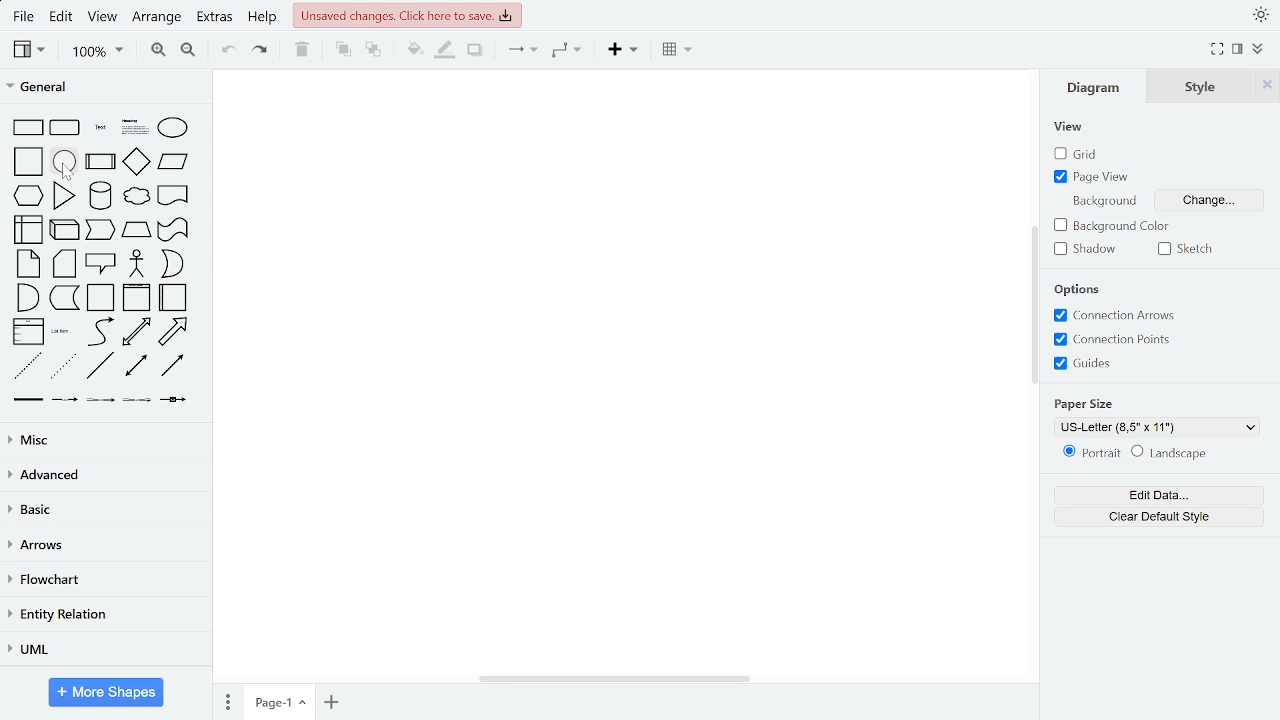  I want to click on Delete, so click(302, 51).